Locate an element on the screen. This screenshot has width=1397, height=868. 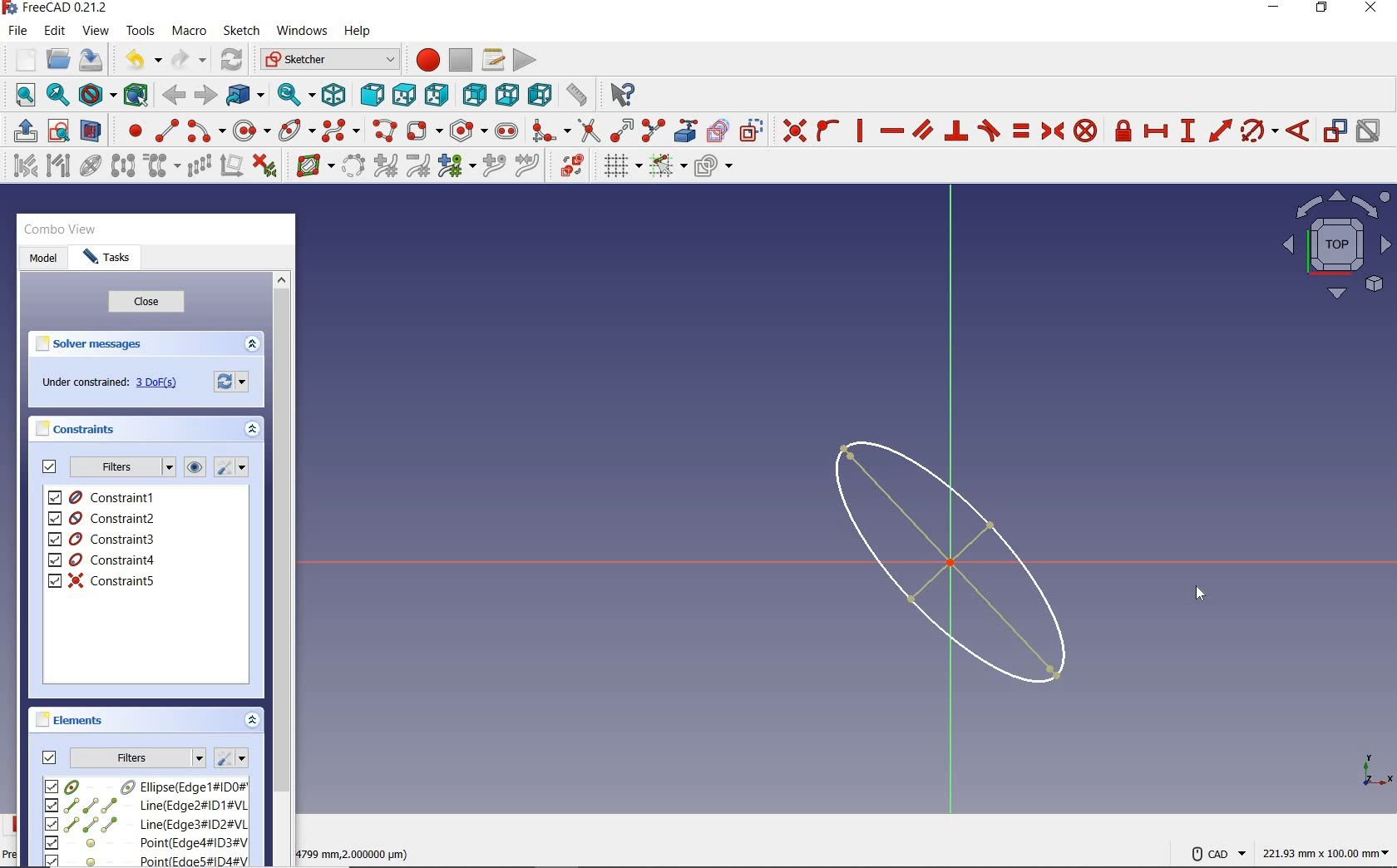
view is located at coordinates (97, 30).